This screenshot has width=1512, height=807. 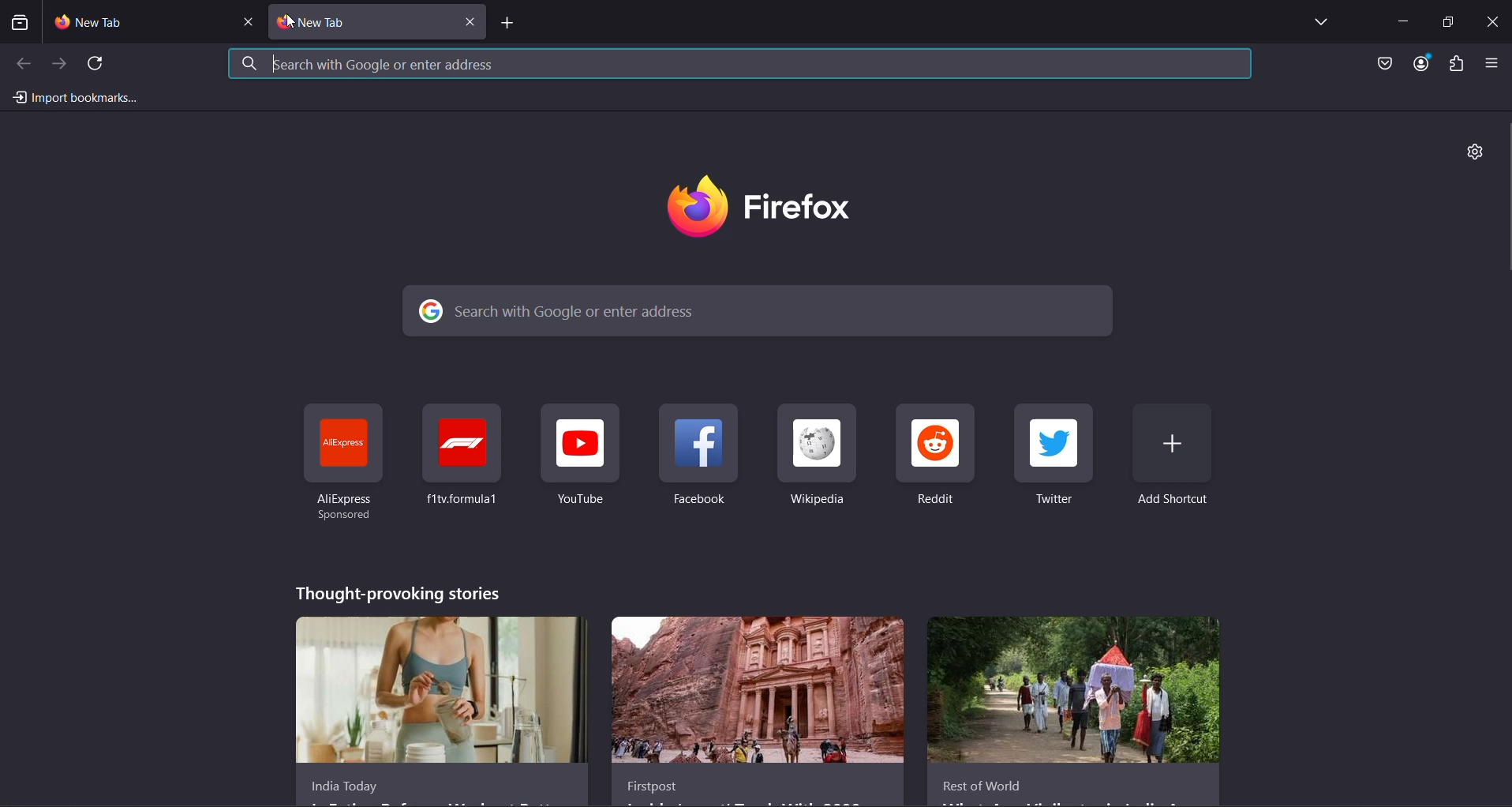 I want to click on previous page, so click(x=22, y=64).